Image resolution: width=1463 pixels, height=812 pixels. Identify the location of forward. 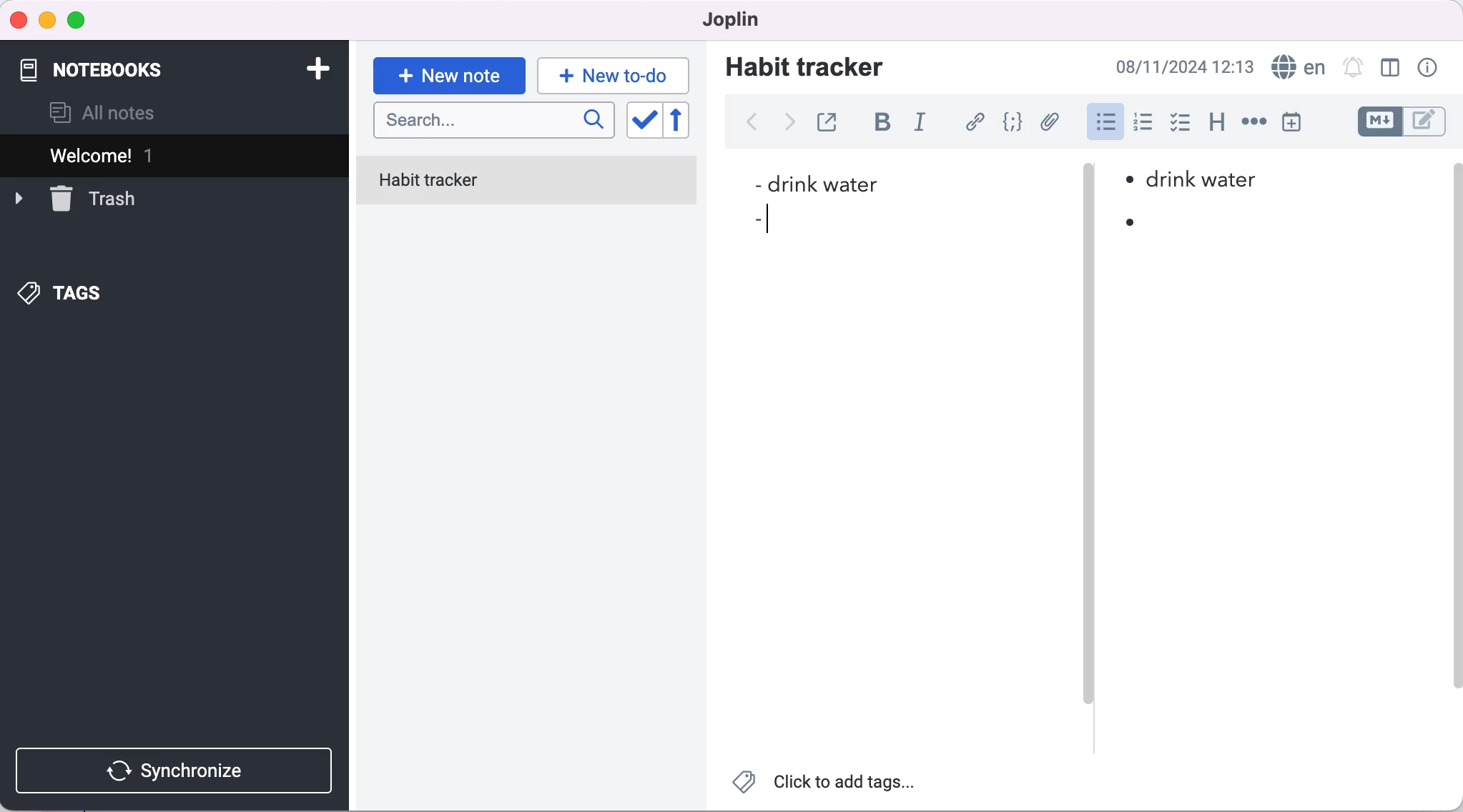
(787, 127).